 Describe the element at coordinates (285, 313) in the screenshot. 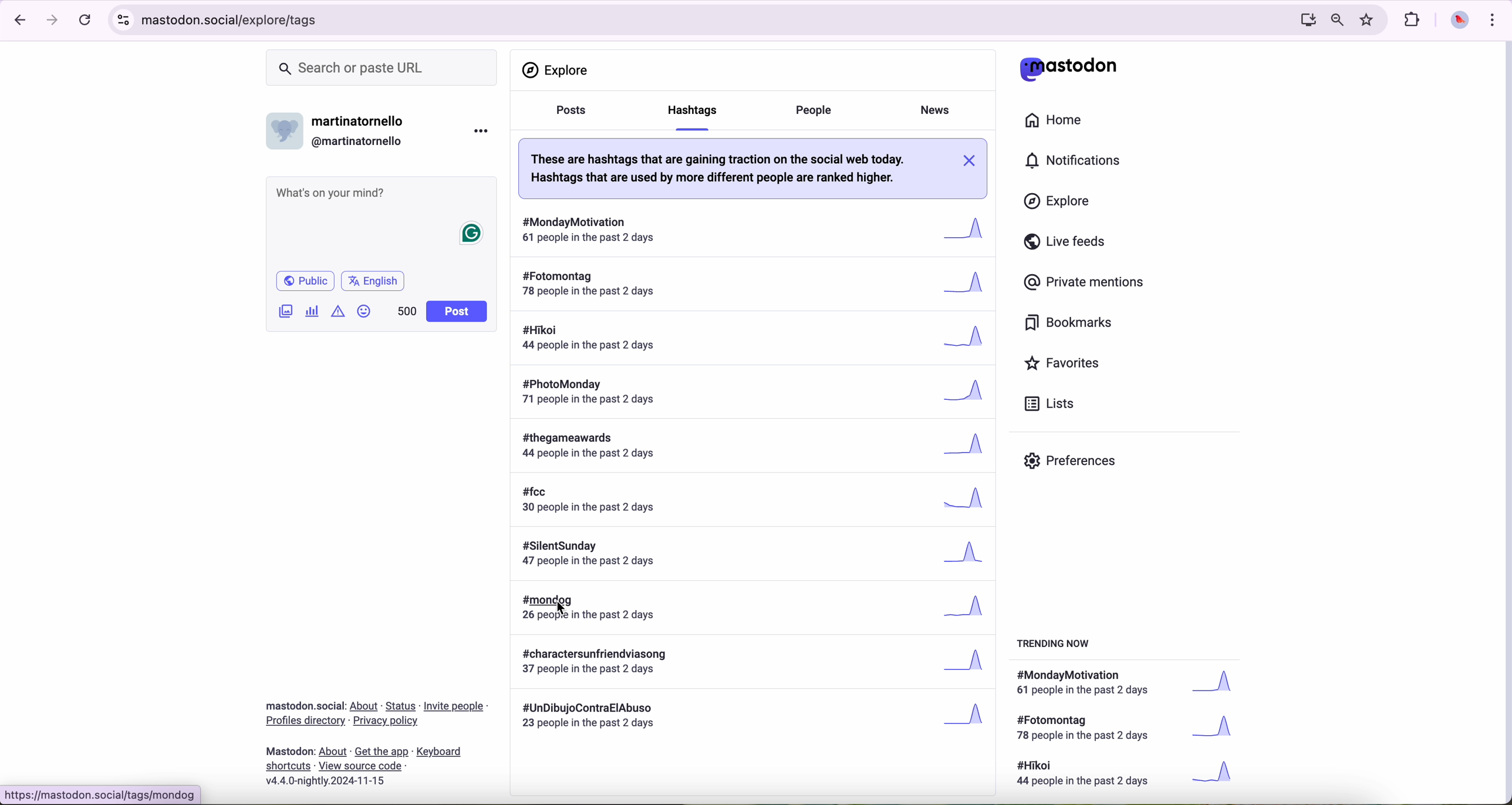

I see `image` at that location.